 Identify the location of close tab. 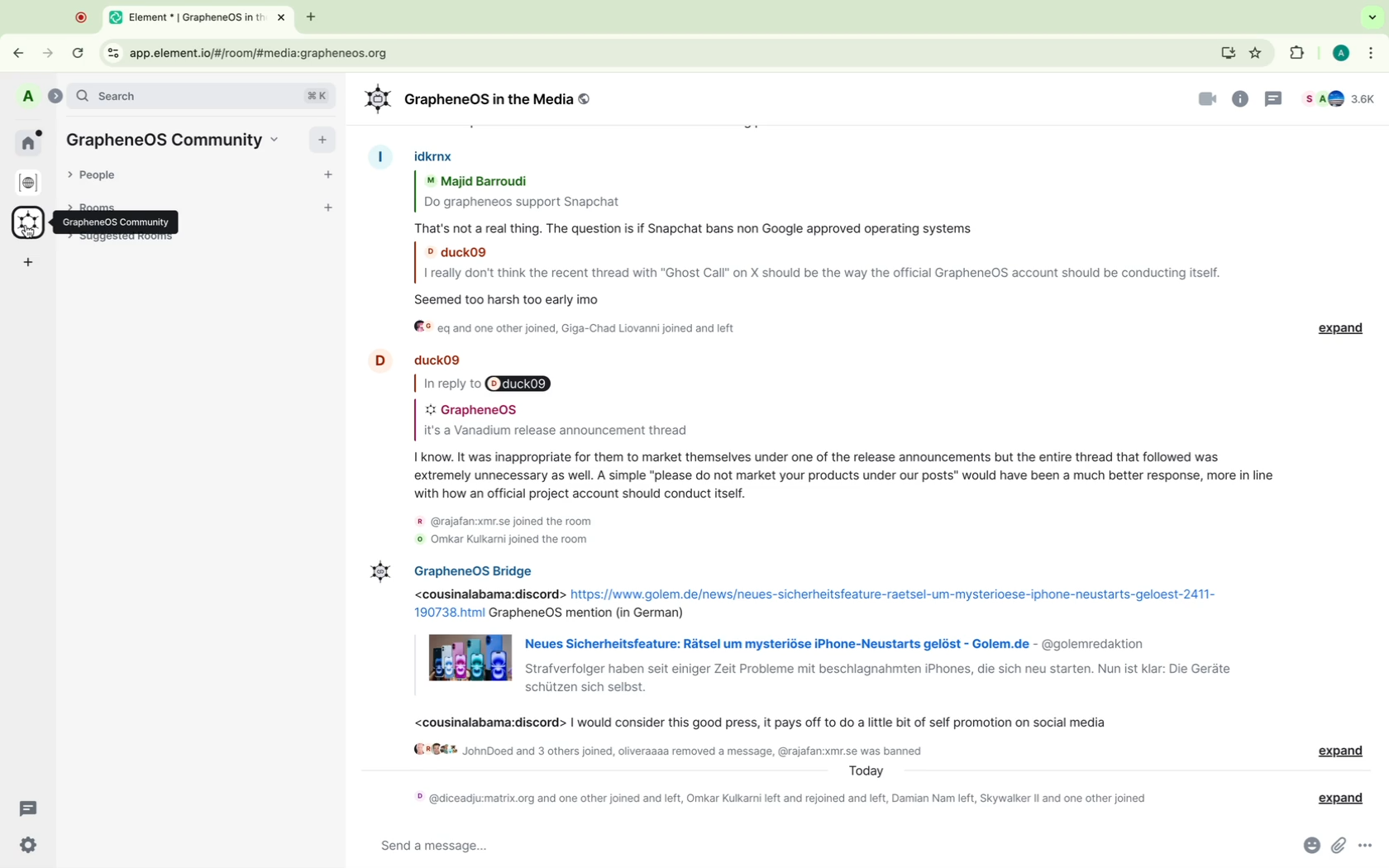
(283, 18).